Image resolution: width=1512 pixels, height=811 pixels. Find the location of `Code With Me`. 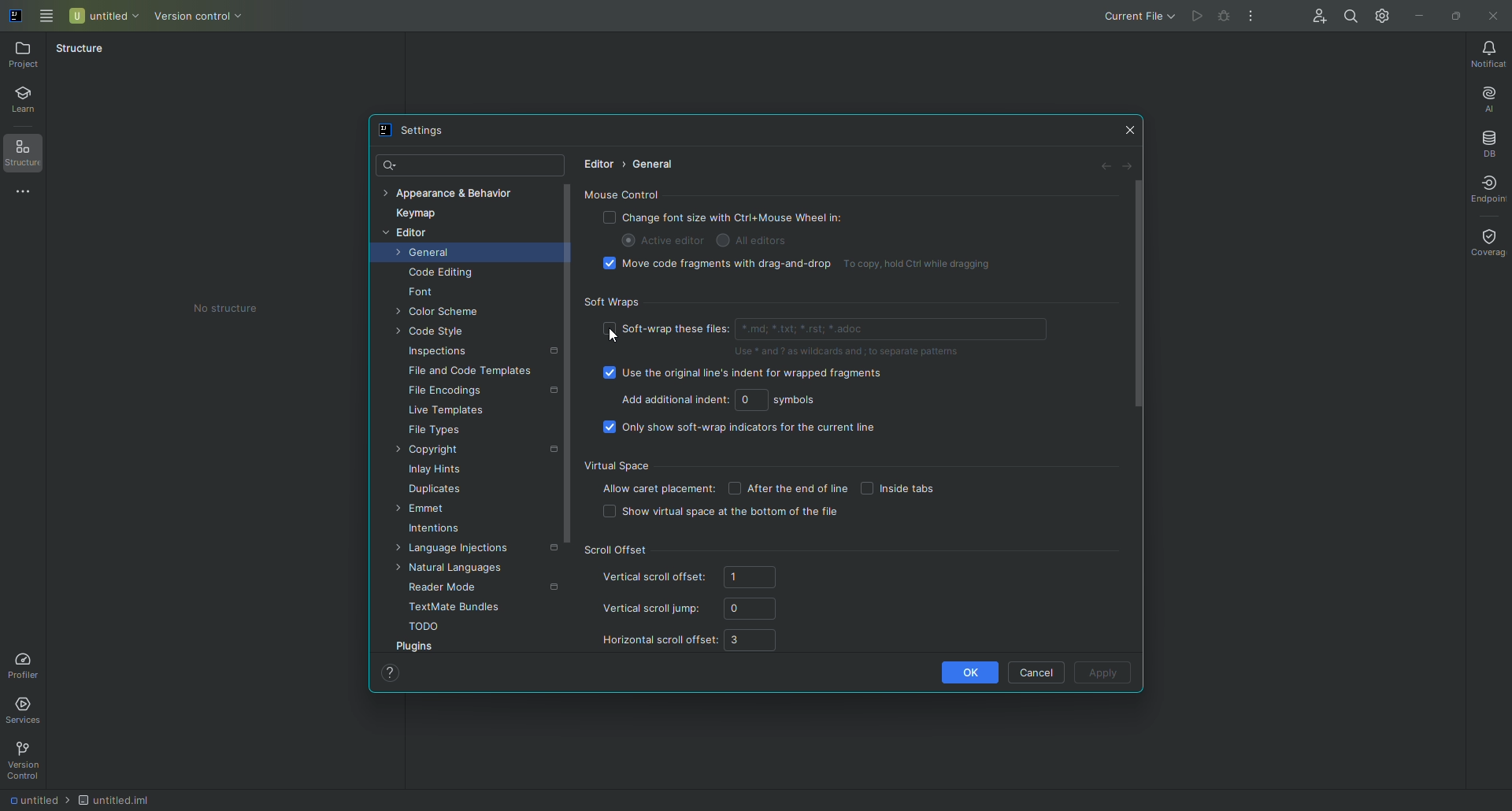

Code With Me is located at coordinates (1318, 17).